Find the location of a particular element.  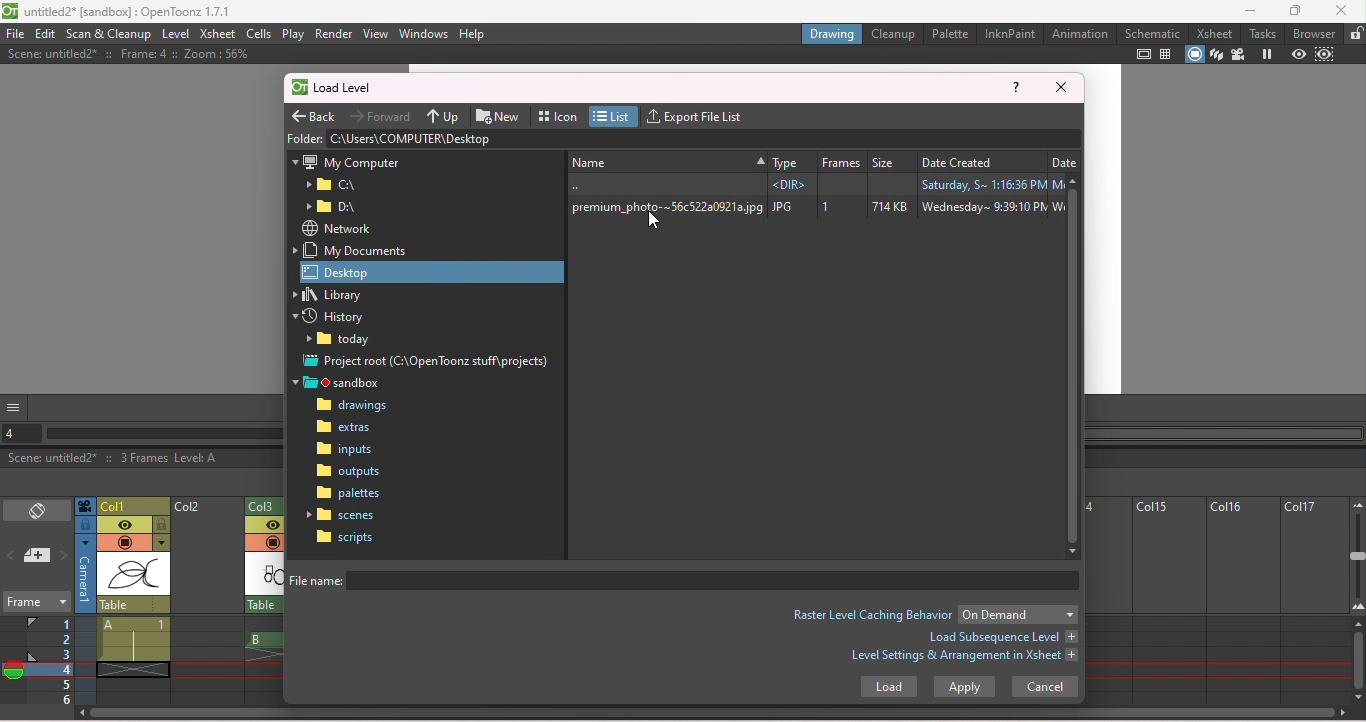

click to select the parent object is located at coordinates (134, 605).